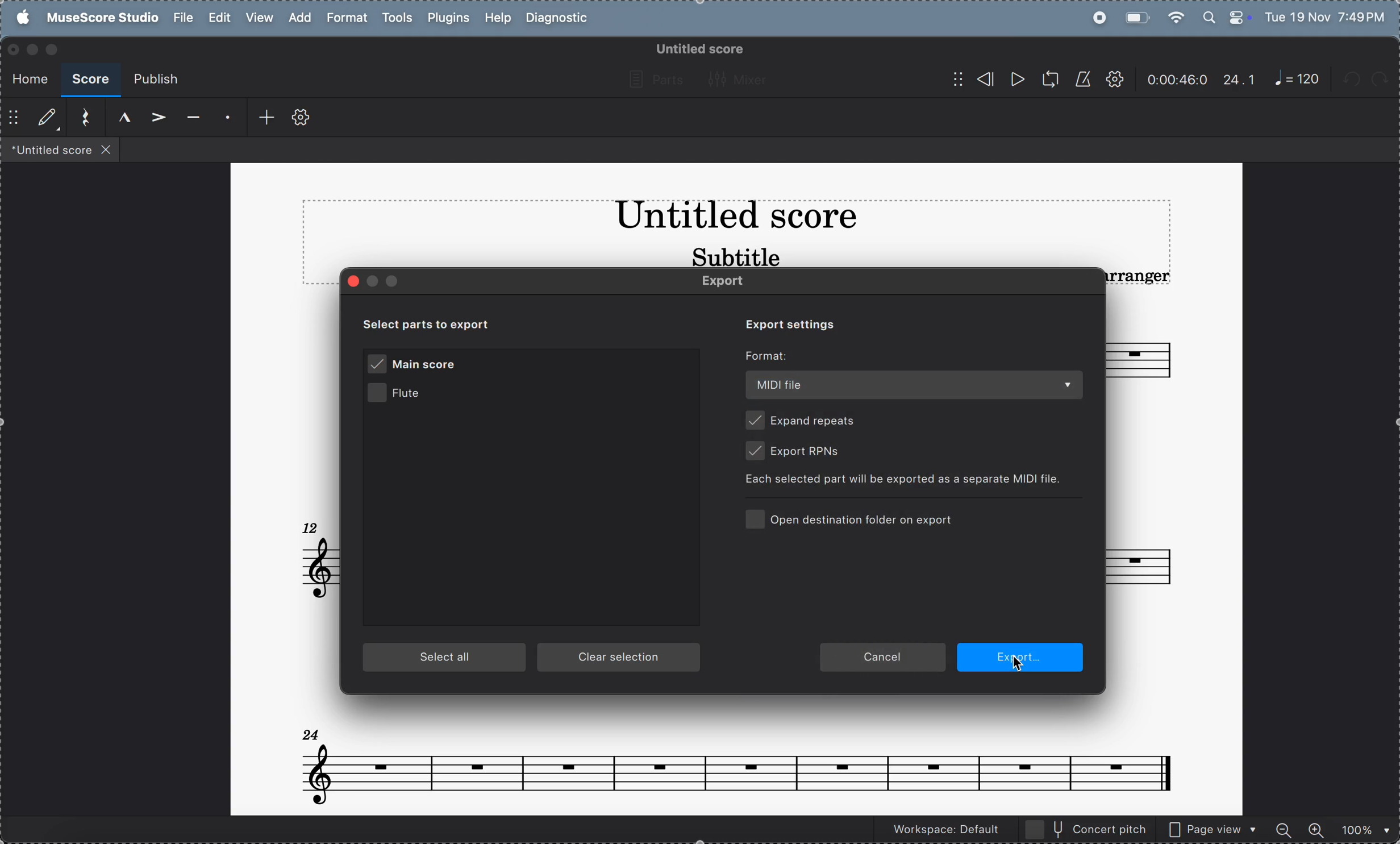 This screenshot has width=1400, height=844. What do you see at coordinates (1114, 80) in the screenshot?
I see `settings` at bounding box center [1114, 80].